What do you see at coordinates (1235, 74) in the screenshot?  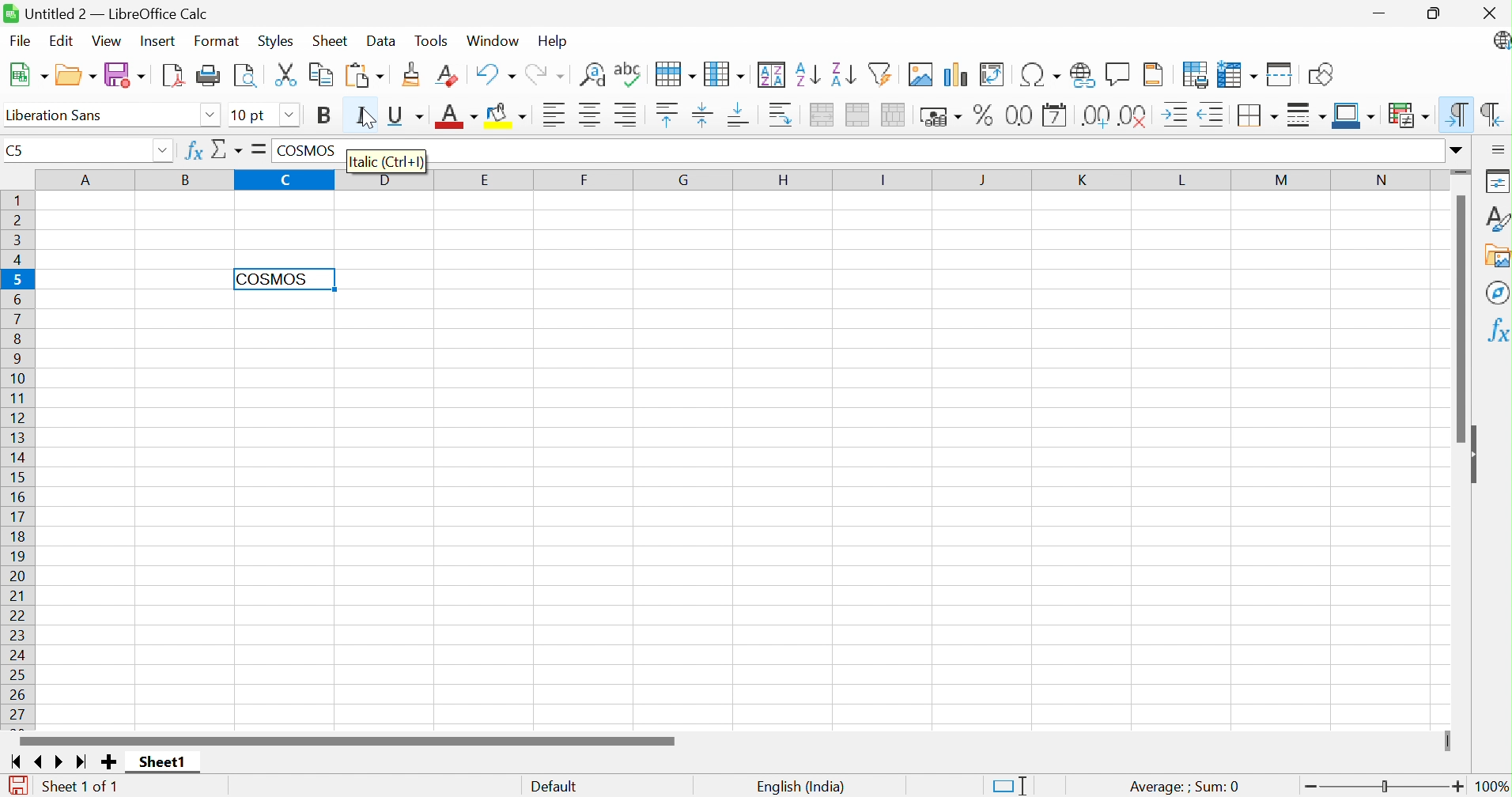 I see `Freeze rows and columns` at bounding box center [1235, 74].